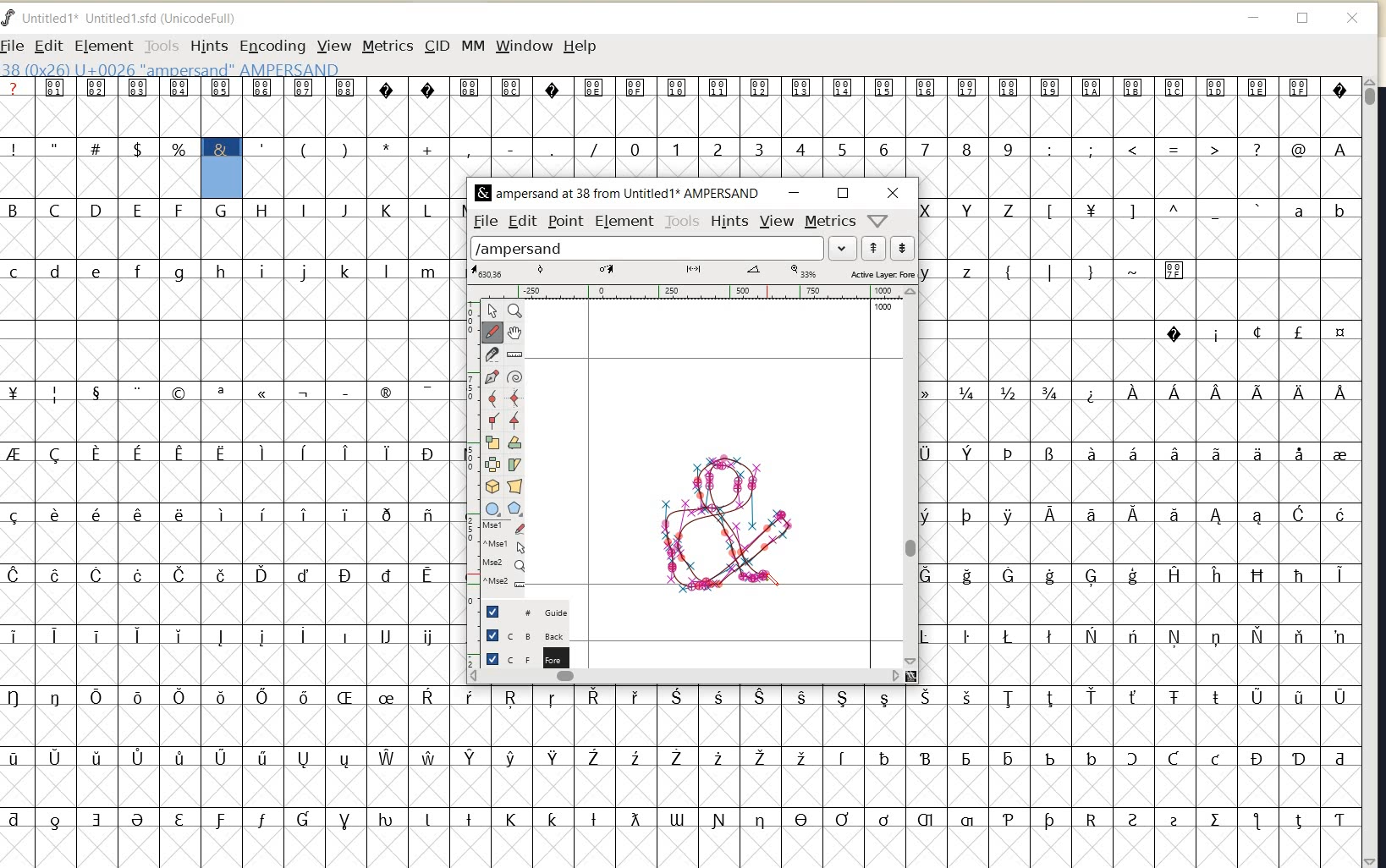  Describe the element at coordinates (492, 486) in the screenshot. I see `rotate the selection in 3d and project back to plane` at that location.